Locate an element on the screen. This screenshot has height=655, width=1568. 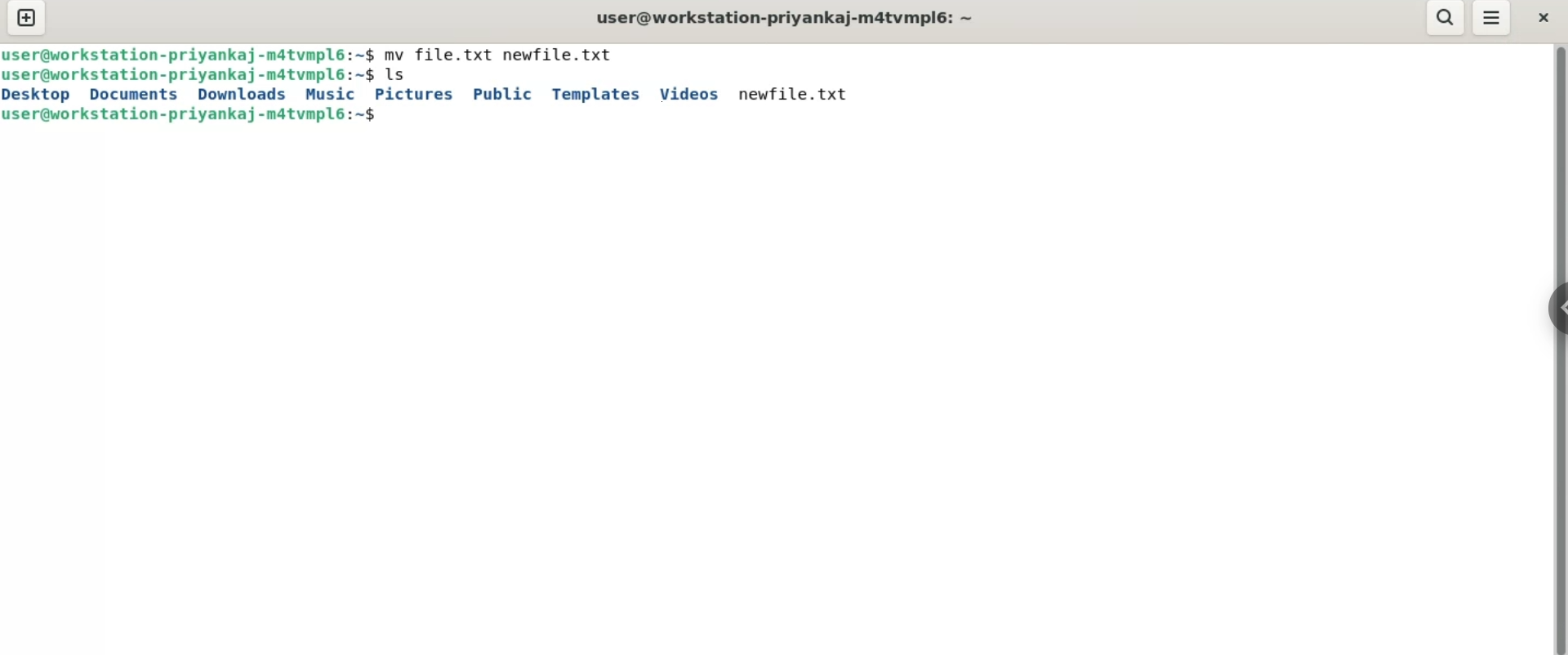
pictures is located at coordinates (413, 95).